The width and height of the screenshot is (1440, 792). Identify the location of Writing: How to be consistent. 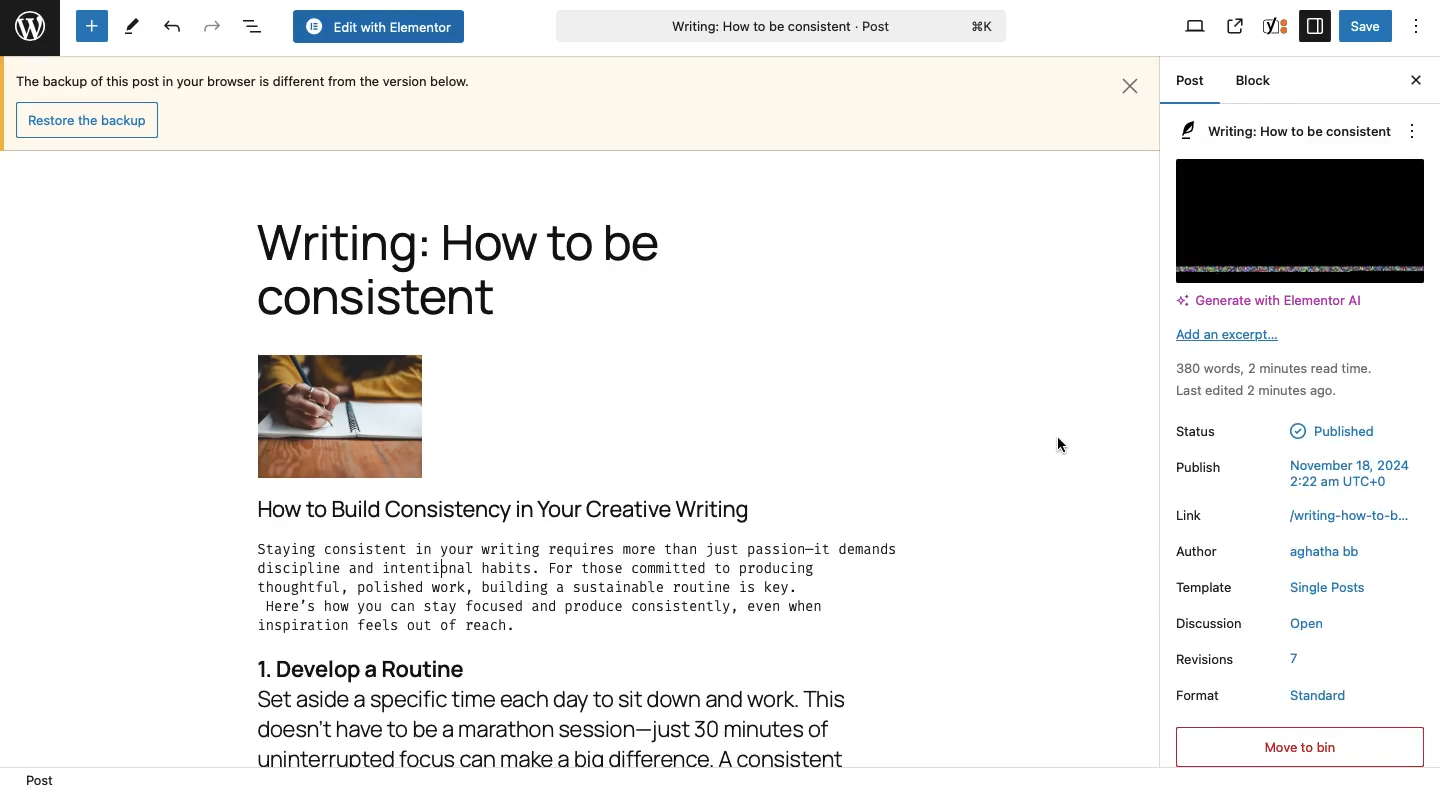
(458, 274).